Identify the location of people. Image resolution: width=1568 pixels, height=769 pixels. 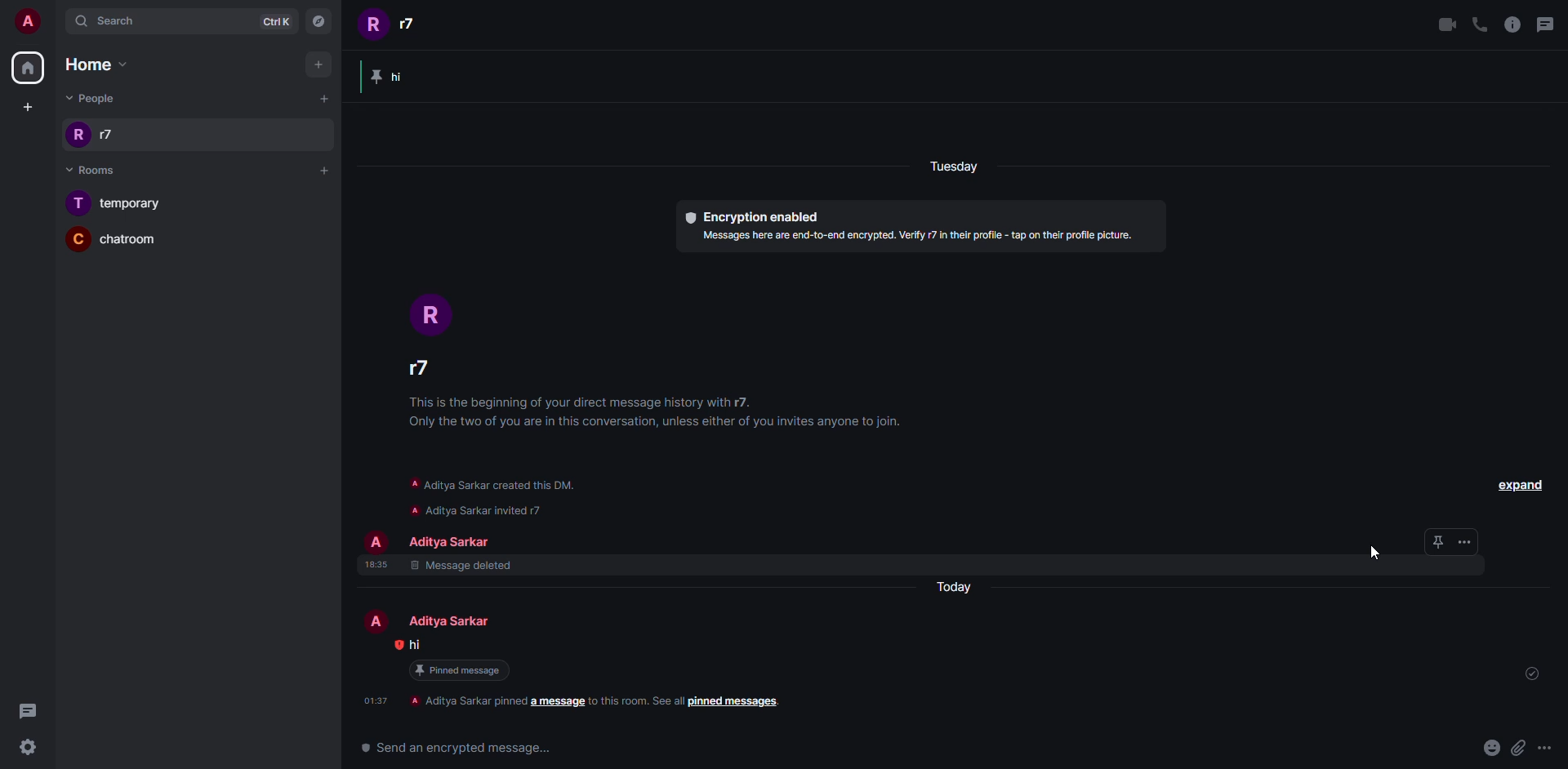
(423, 365).